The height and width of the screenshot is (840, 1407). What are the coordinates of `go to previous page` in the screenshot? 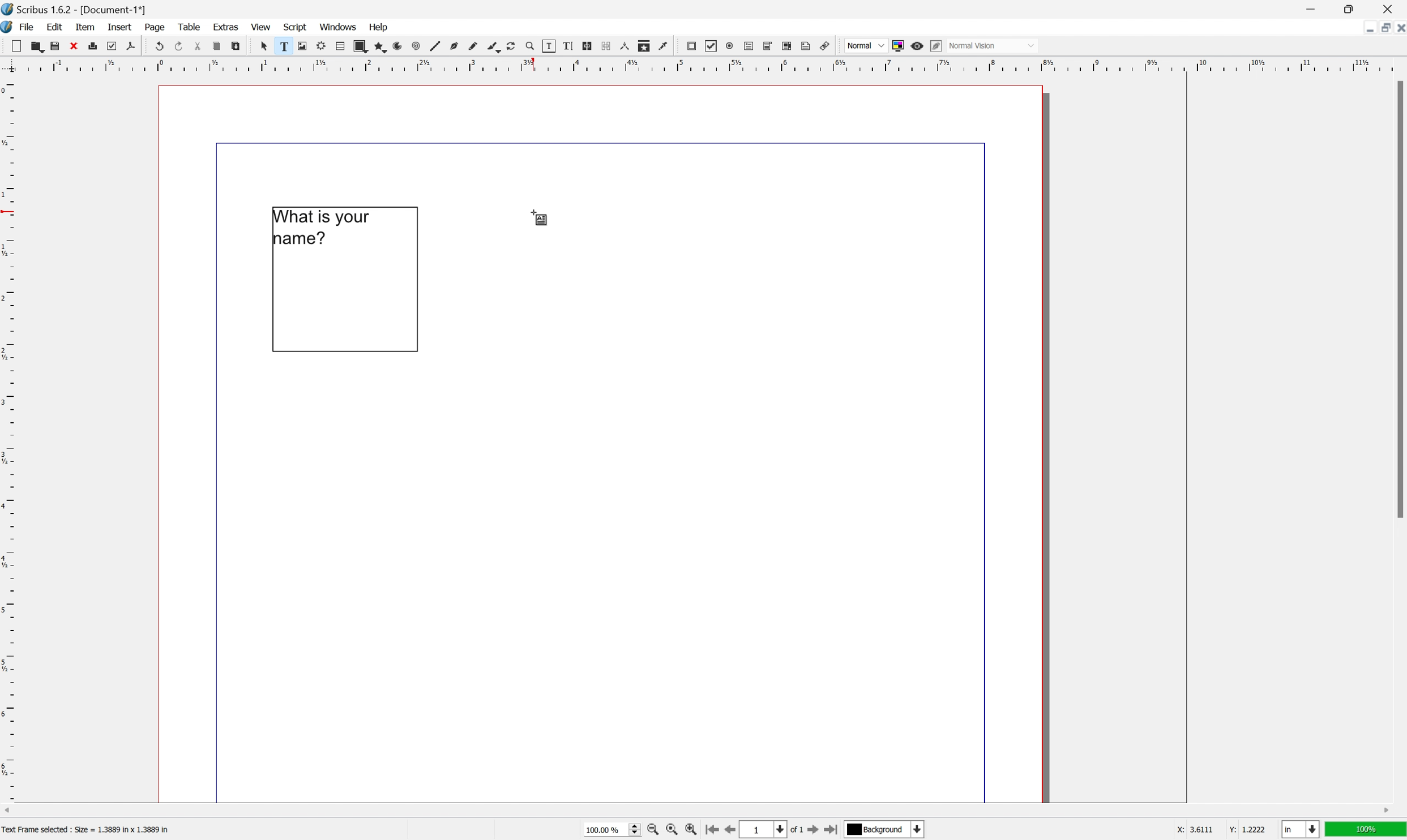 It's located at (728, 831).